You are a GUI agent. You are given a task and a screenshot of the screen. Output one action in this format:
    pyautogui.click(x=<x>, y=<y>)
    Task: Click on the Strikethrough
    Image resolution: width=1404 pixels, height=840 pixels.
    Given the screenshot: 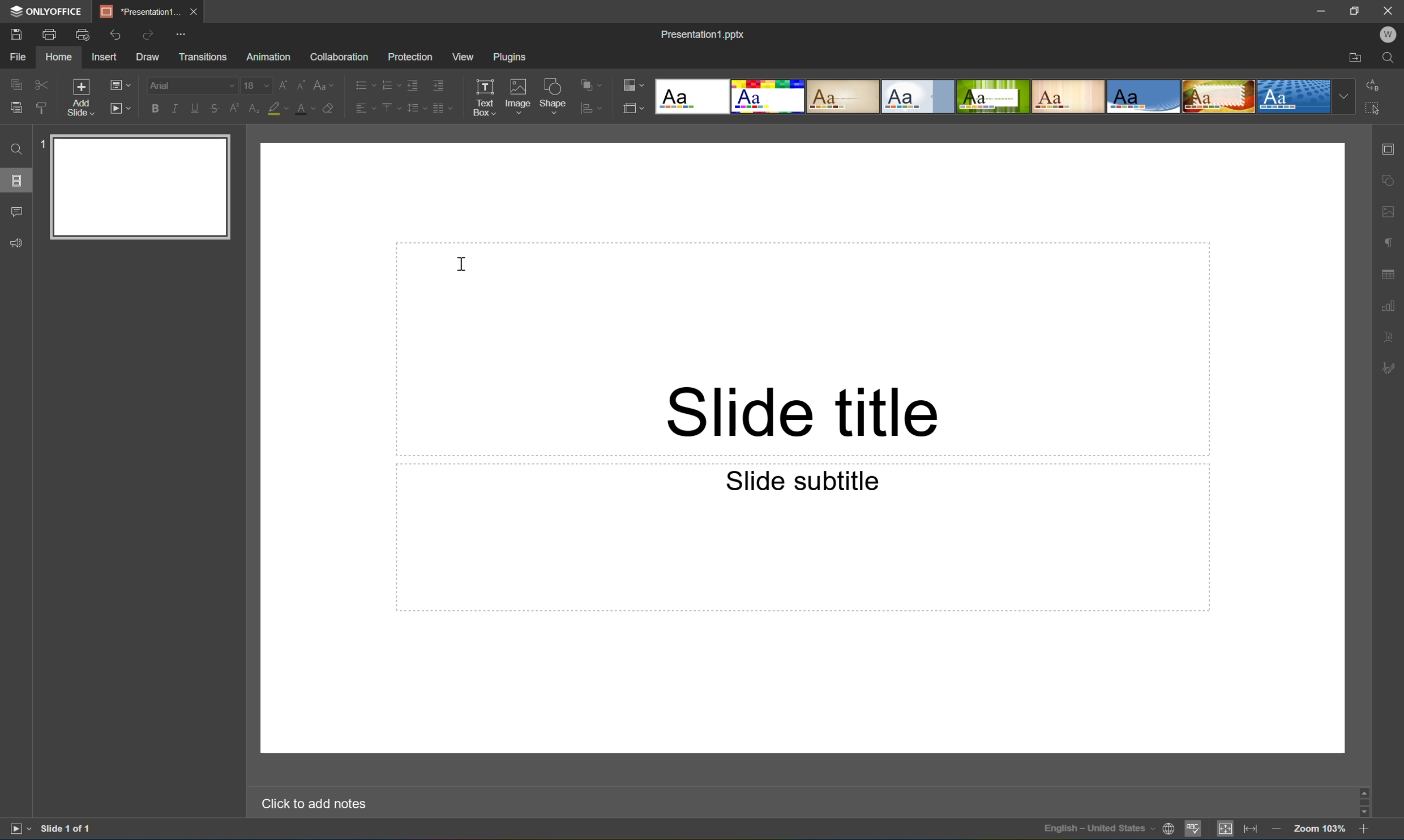 What is the action you would take?
    pyautogui.click(x=215, y=108)
    